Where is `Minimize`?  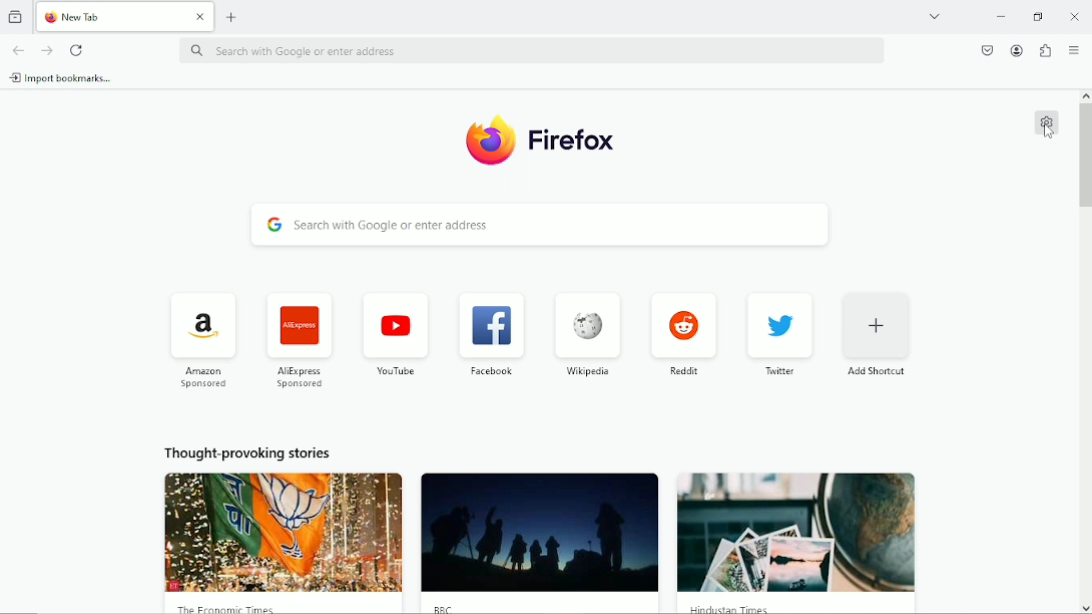 Minimize is located at coordinates (1002, 15).